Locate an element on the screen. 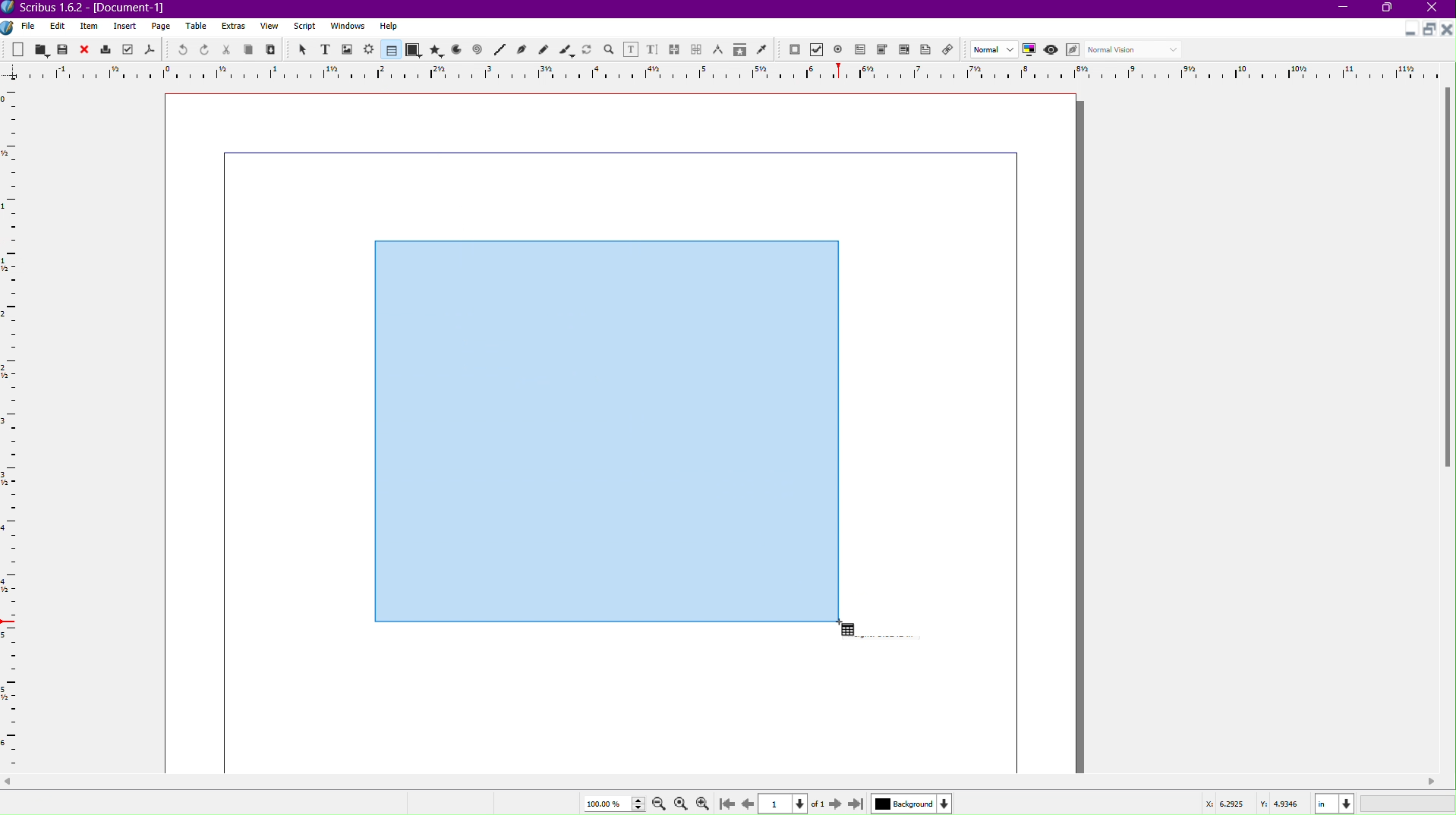 This screenshot has width=1456, height=815. Extras is located at coordinates (235, 27).